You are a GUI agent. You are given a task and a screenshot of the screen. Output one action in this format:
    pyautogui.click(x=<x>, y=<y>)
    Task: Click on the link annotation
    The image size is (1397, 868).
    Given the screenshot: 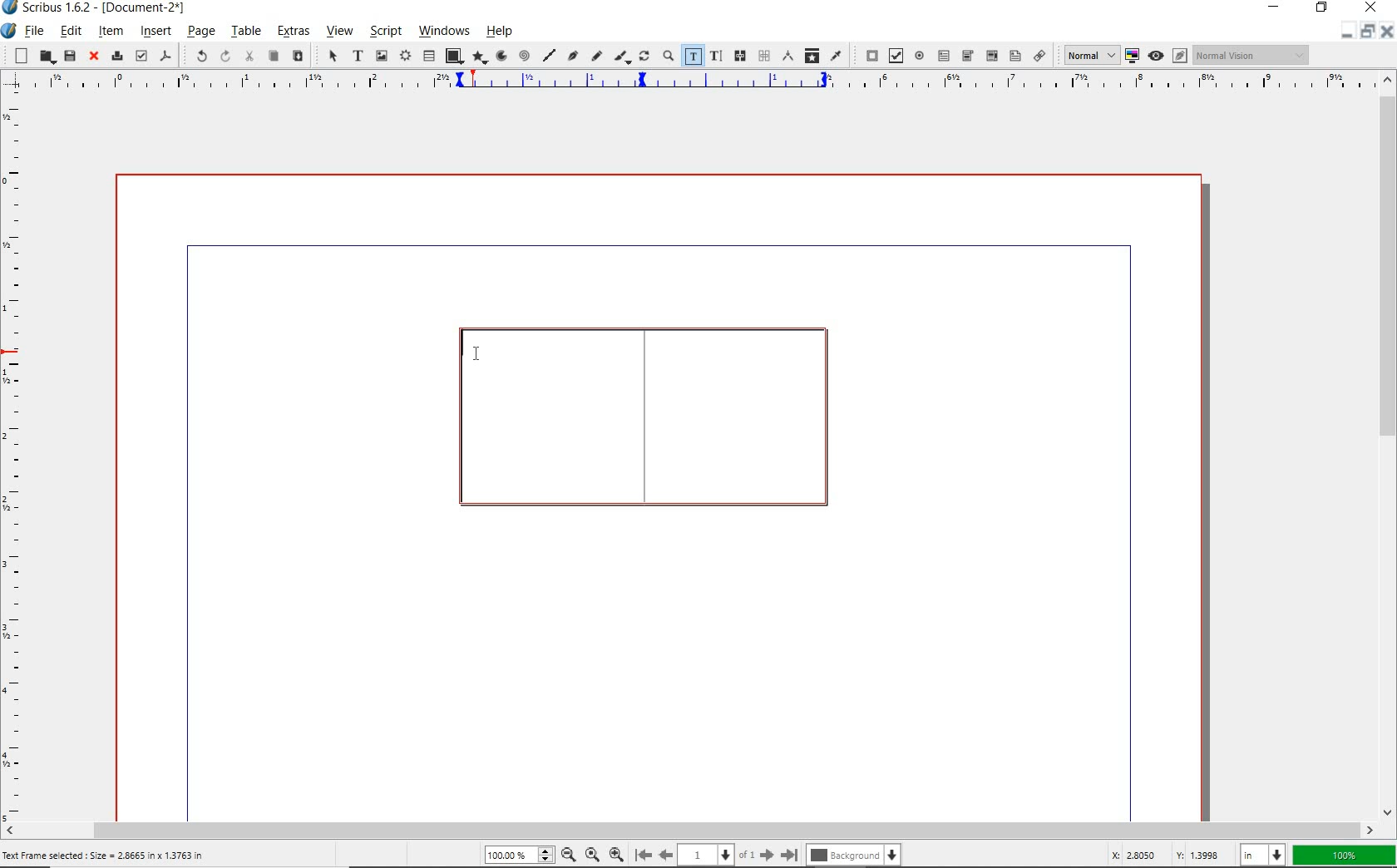 What is the action you would take?
    pyautogui.click(x=1038, y=55)
    